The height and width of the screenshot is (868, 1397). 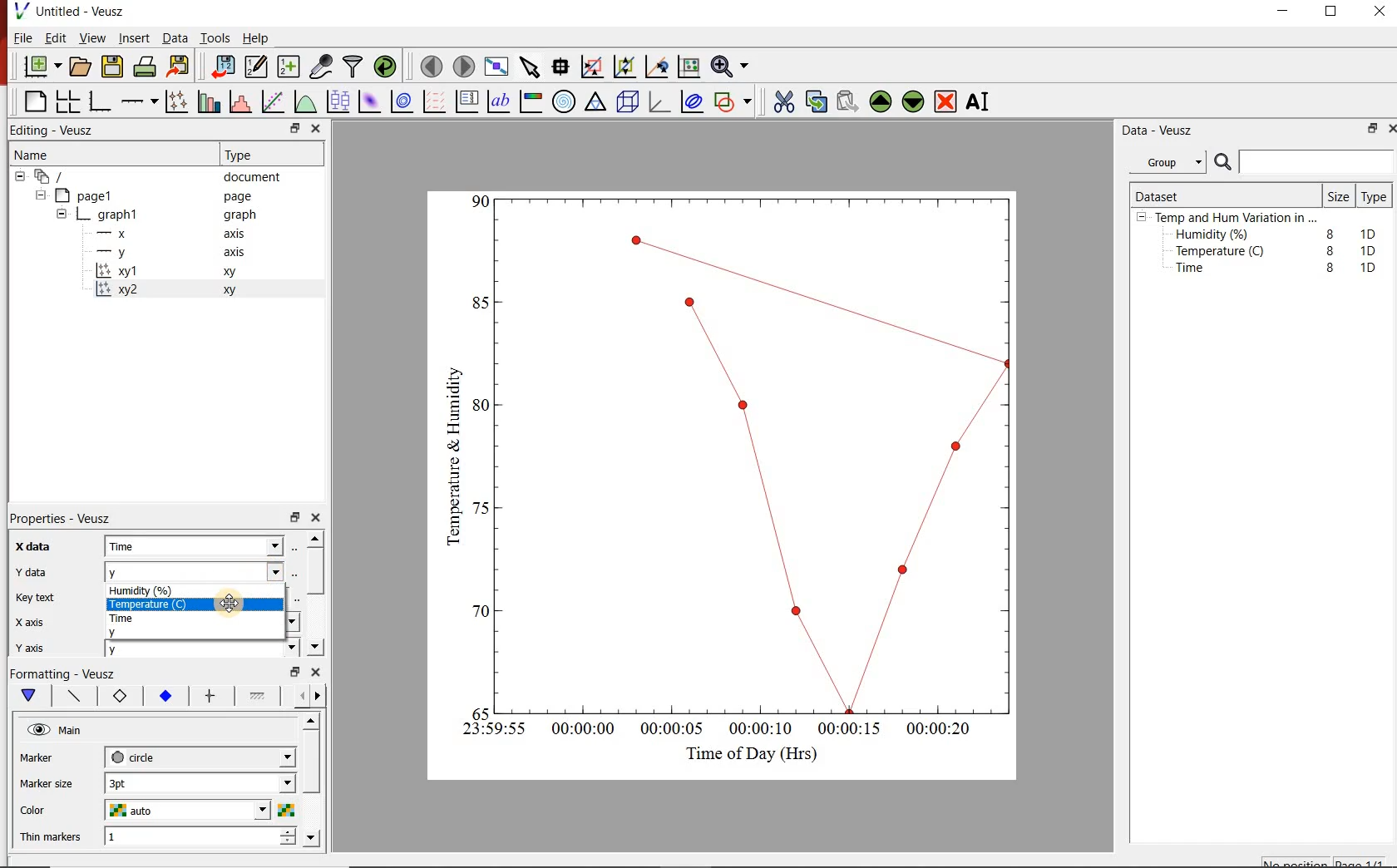 I want to click on Insert, so click(x=131, y=38).